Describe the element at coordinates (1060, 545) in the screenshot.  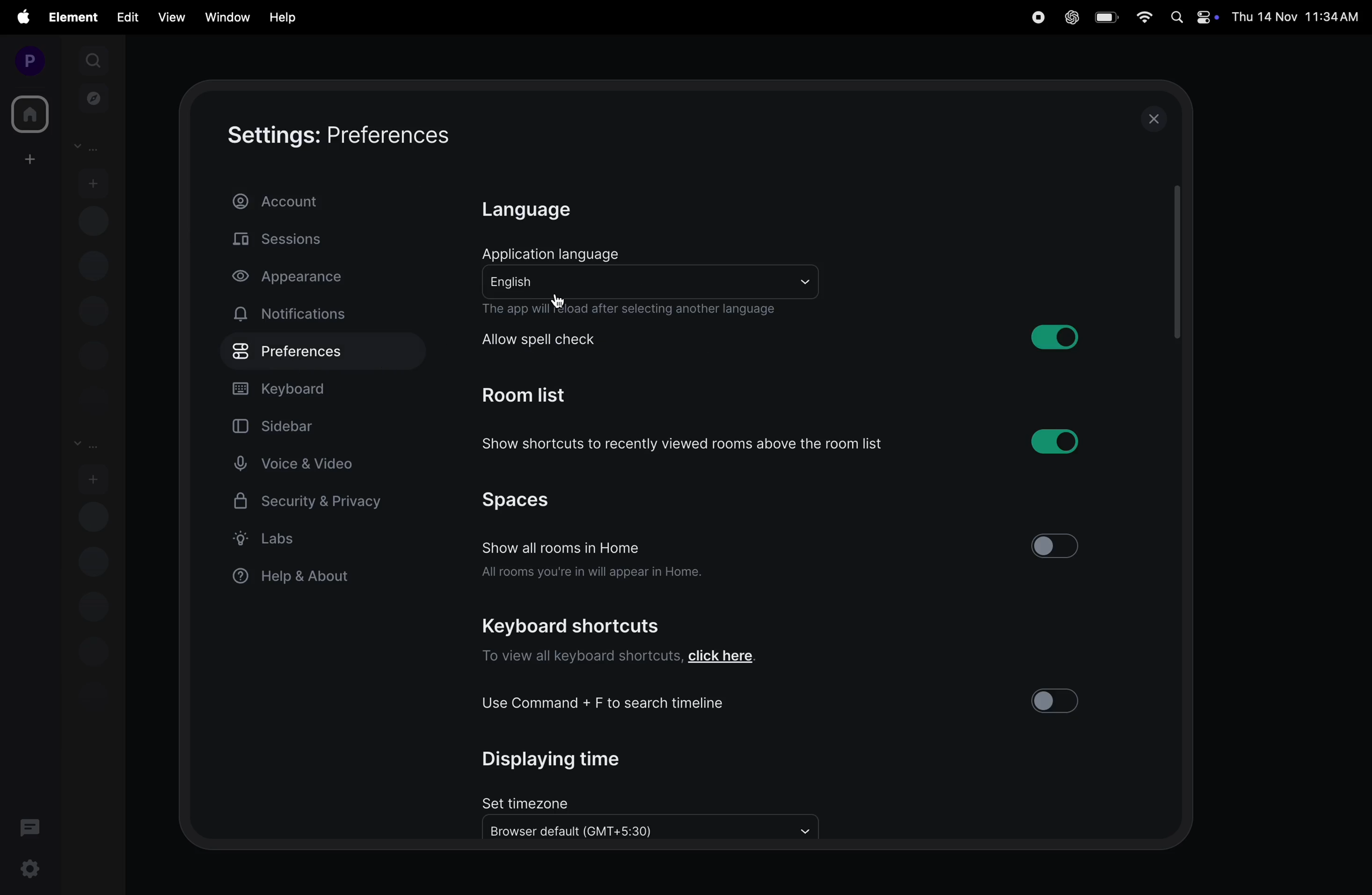
I see `toogle` at that location.